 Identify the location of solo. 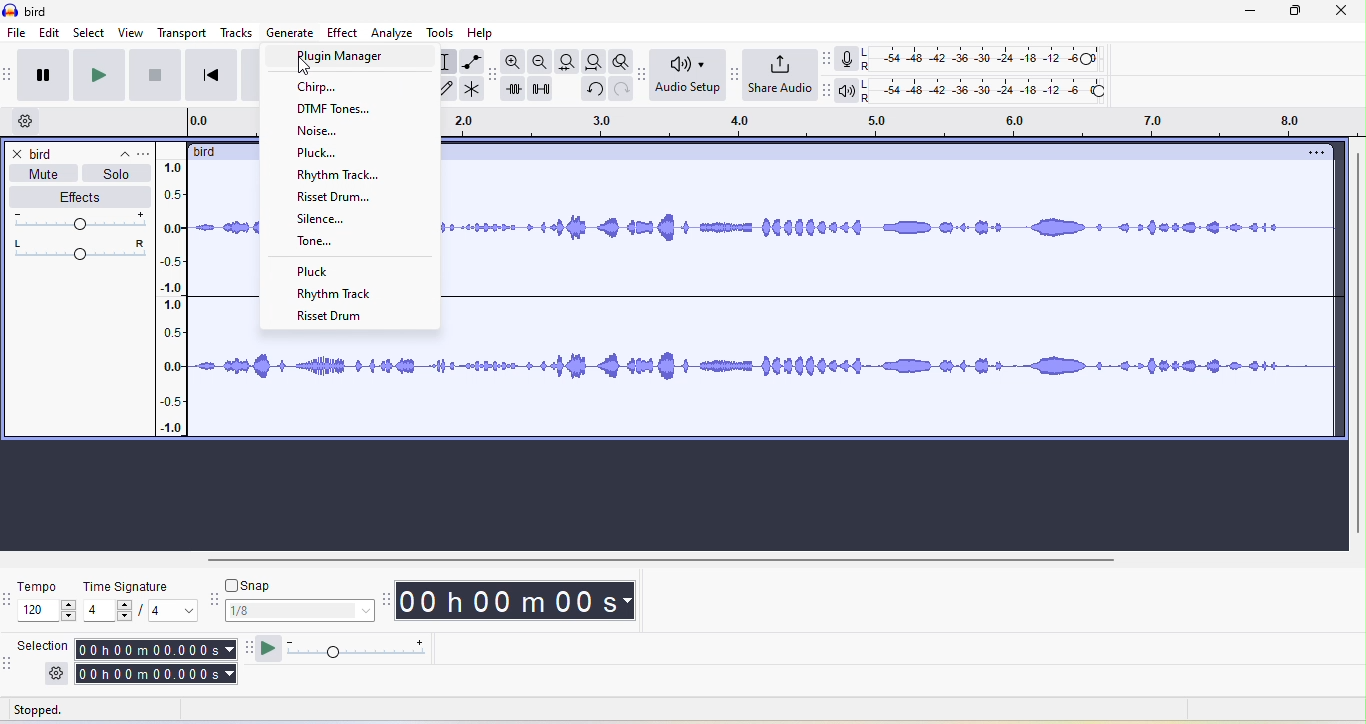
(115, 175).